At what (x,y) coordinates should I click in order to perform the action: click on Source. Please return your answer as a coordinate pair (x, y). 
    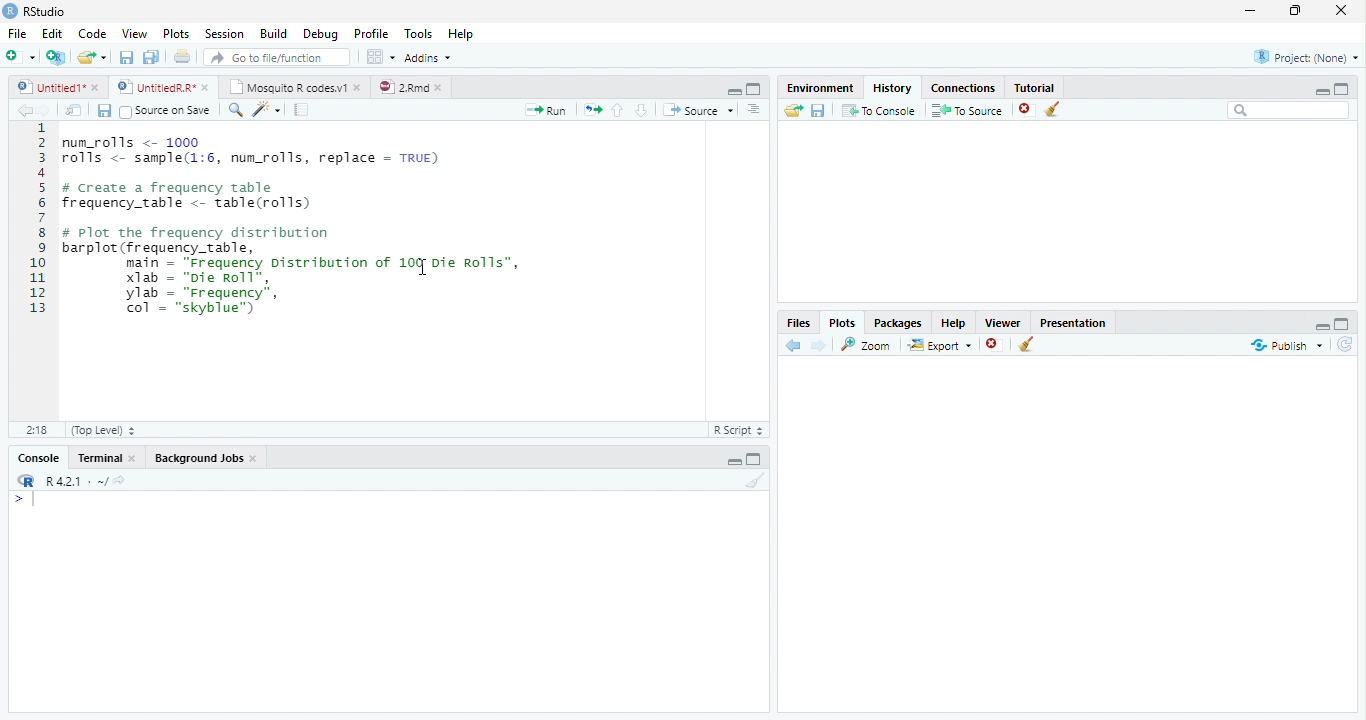
    Looking at the image, I should click on (698, 111).